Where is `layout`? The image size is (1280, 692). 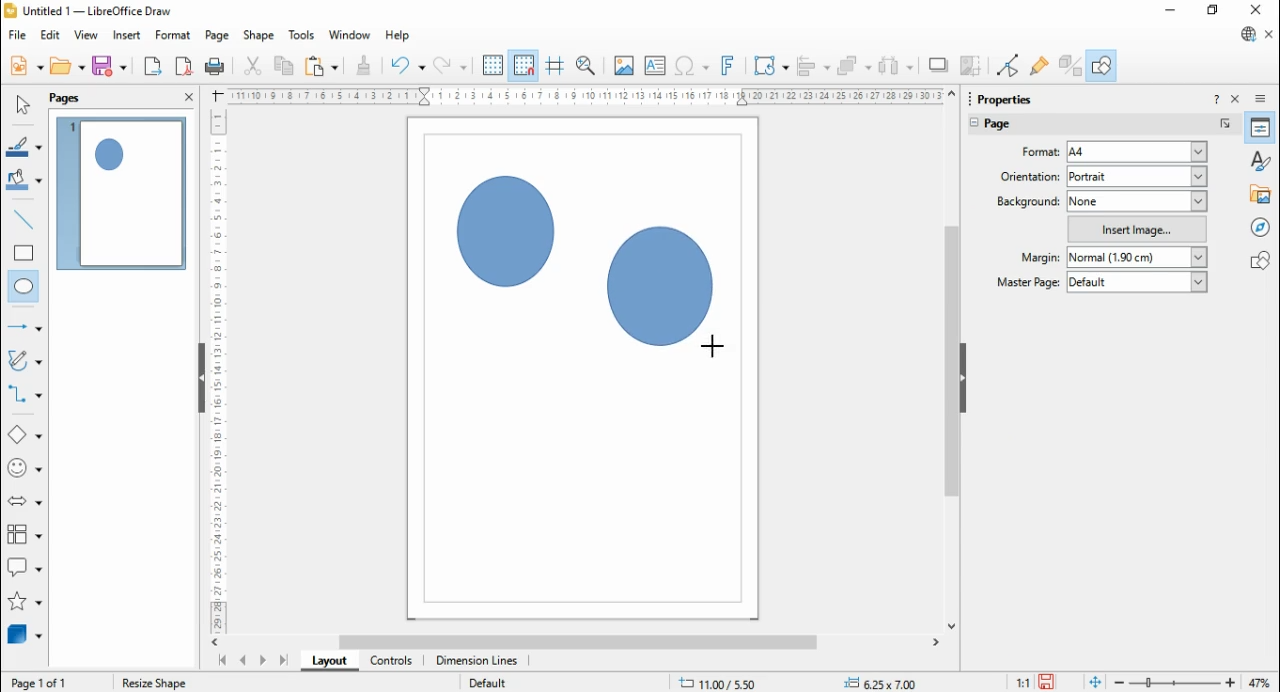
layout is located at coordinates (328, 660).